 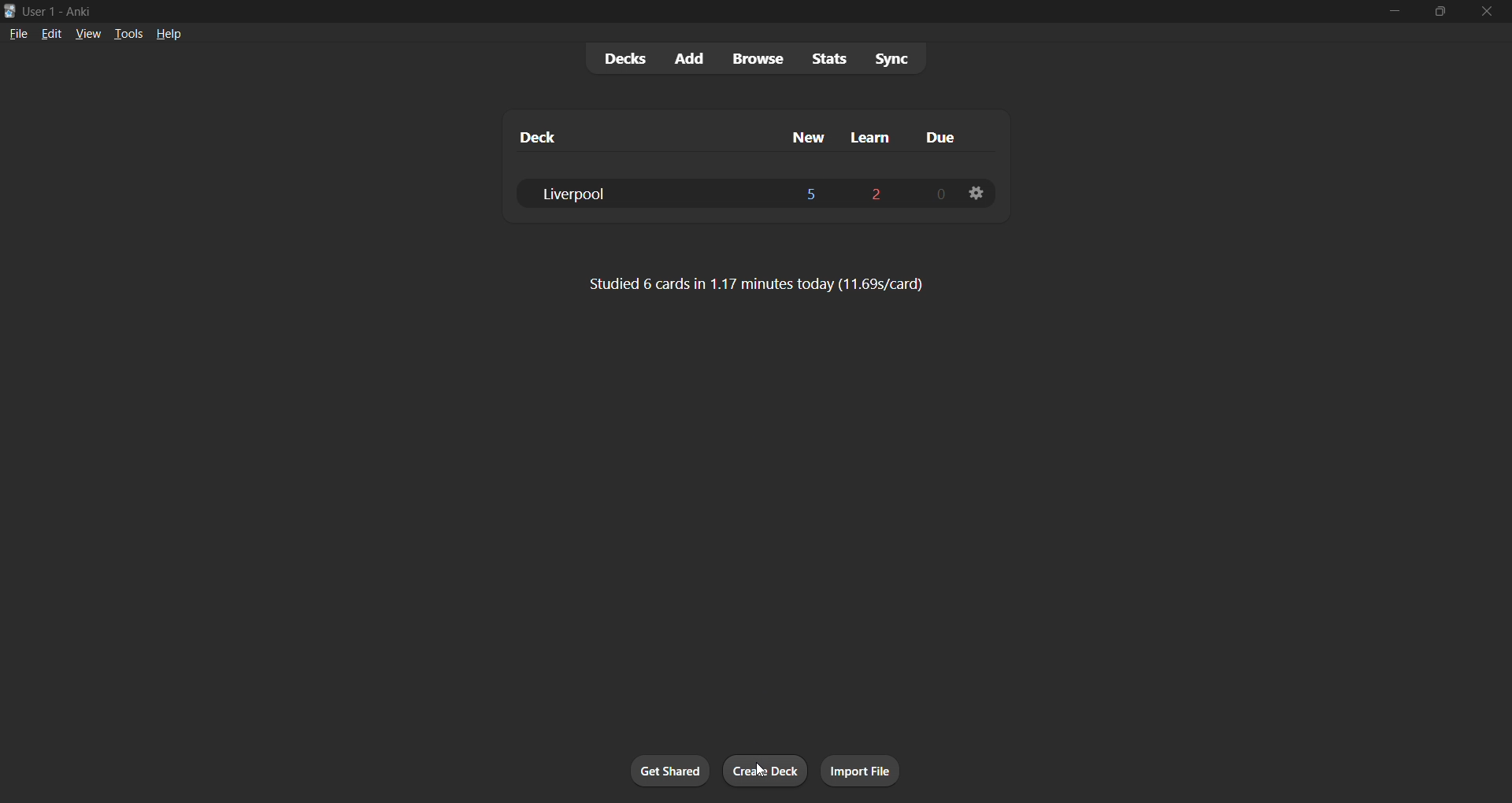 I want to click on add, so click(x=684, y=59).